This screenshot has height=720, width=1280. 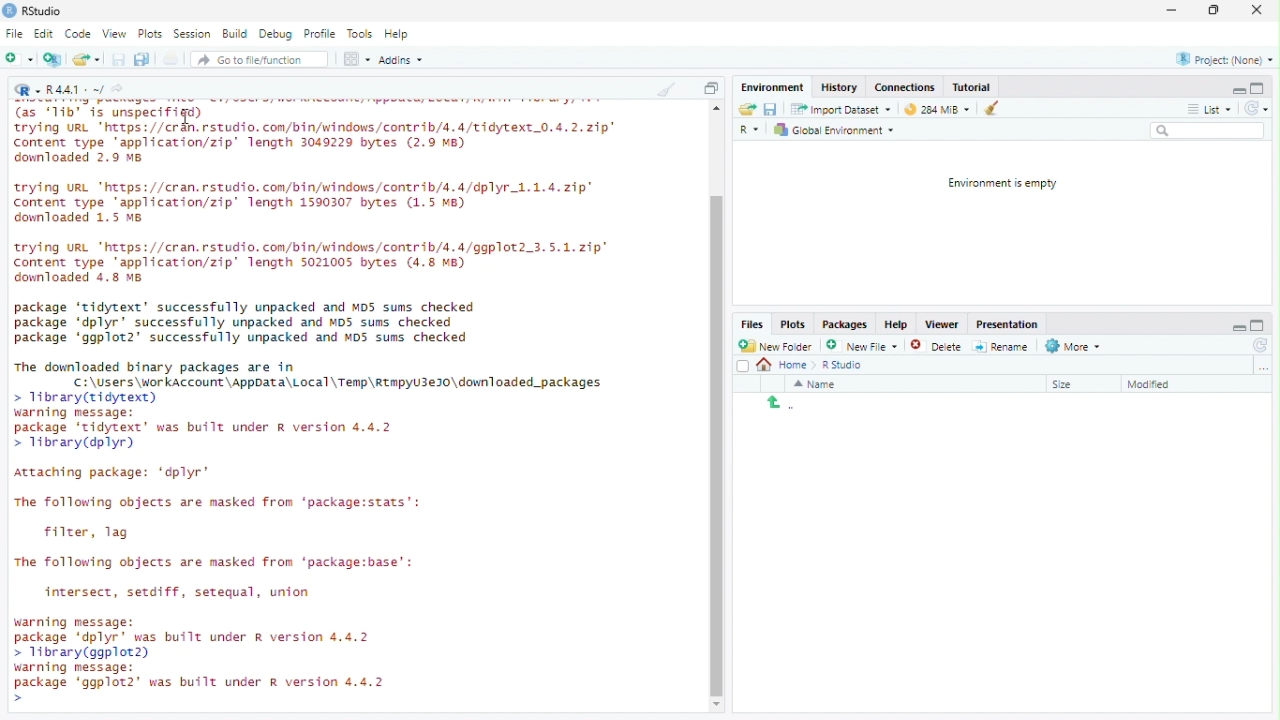 What do you see at coordinates (897, 323) in the screenshot?
I see `Help` at bounding box center [897, 323].